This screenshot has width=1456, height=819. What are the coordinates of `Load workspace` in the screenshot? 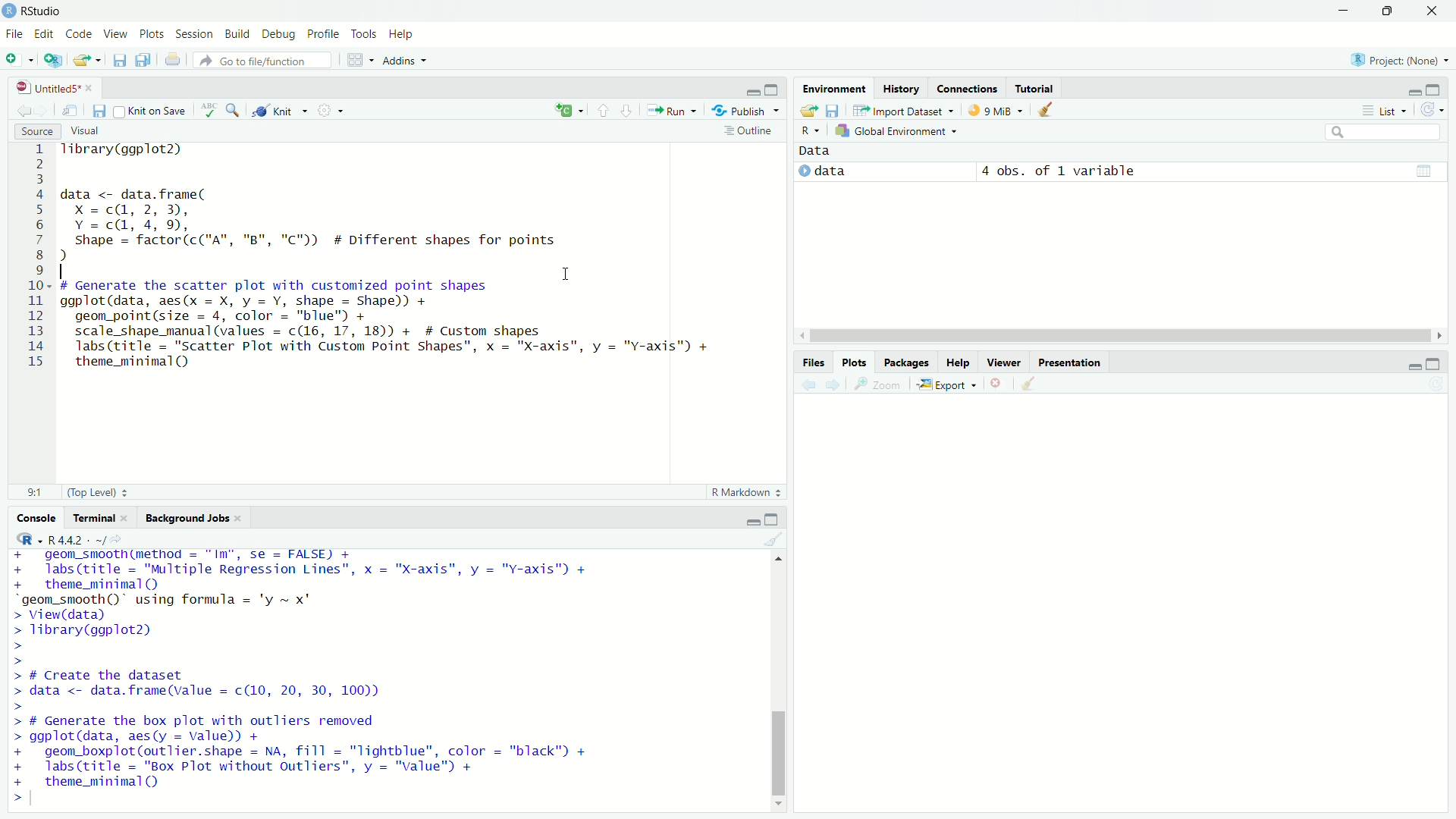 It's located at (809, 111).